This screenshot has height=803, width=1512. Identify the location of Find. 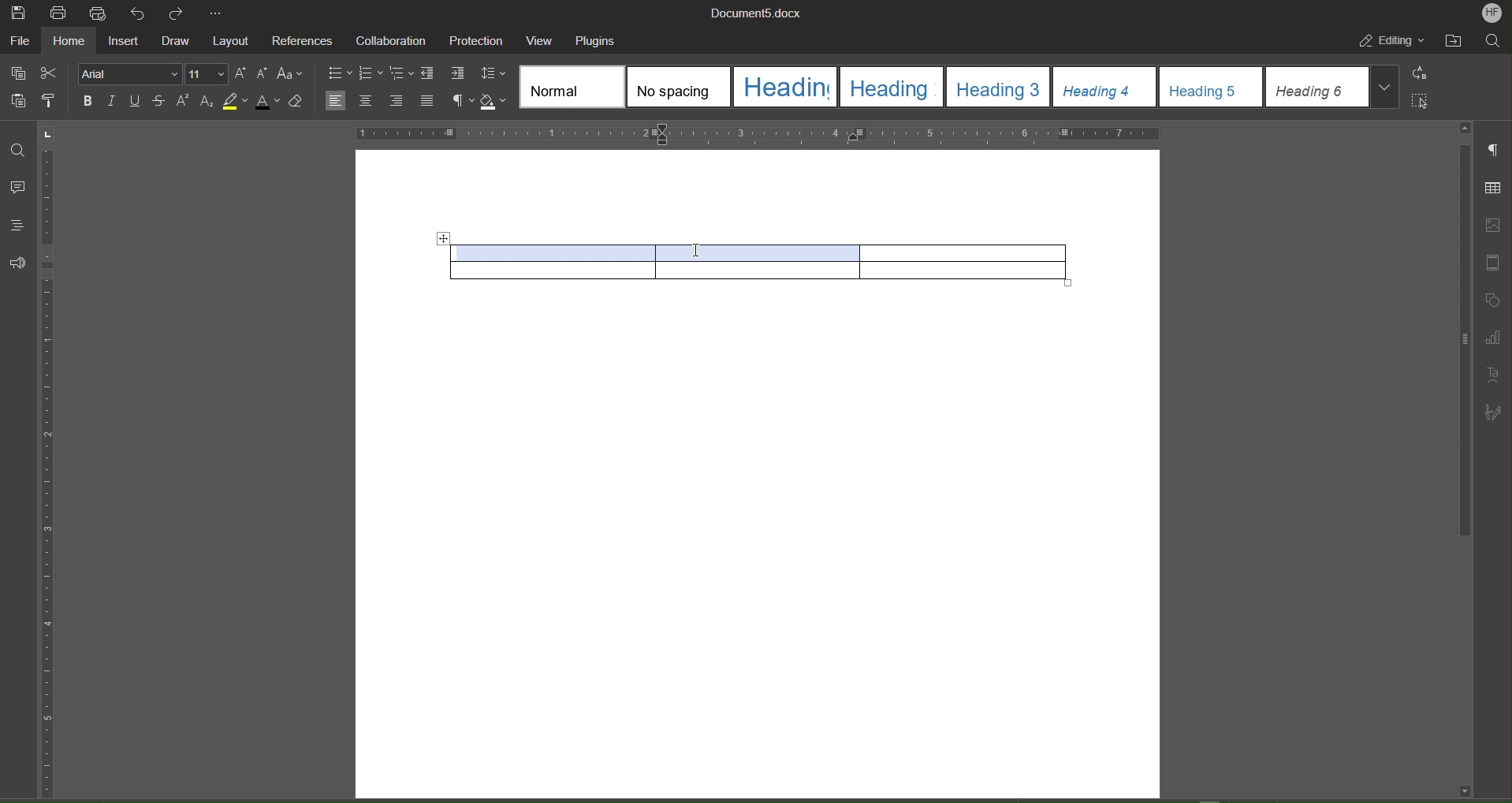
(18, 151).